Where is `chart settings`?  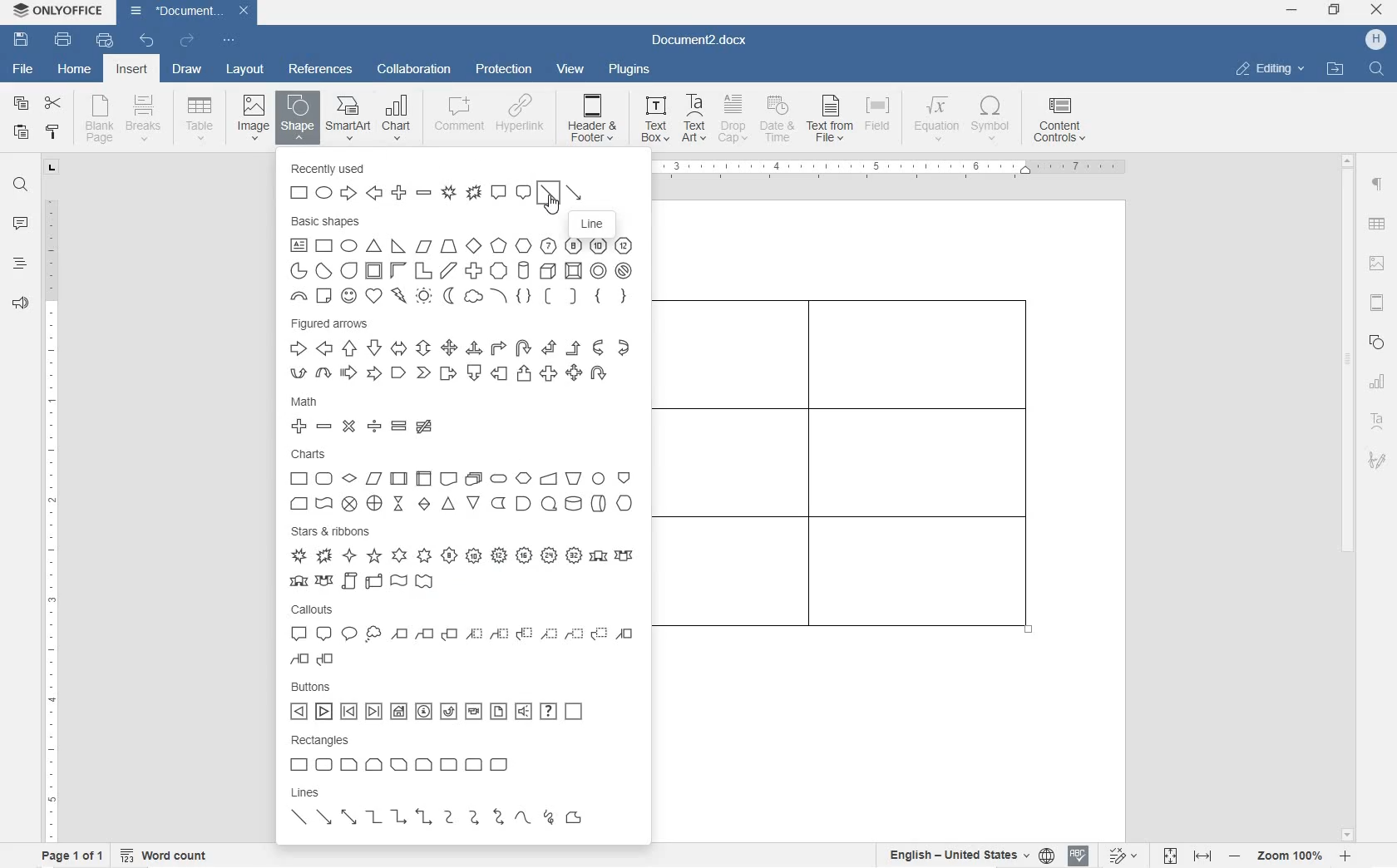
chart settings is located at coordinates (1380, 382).